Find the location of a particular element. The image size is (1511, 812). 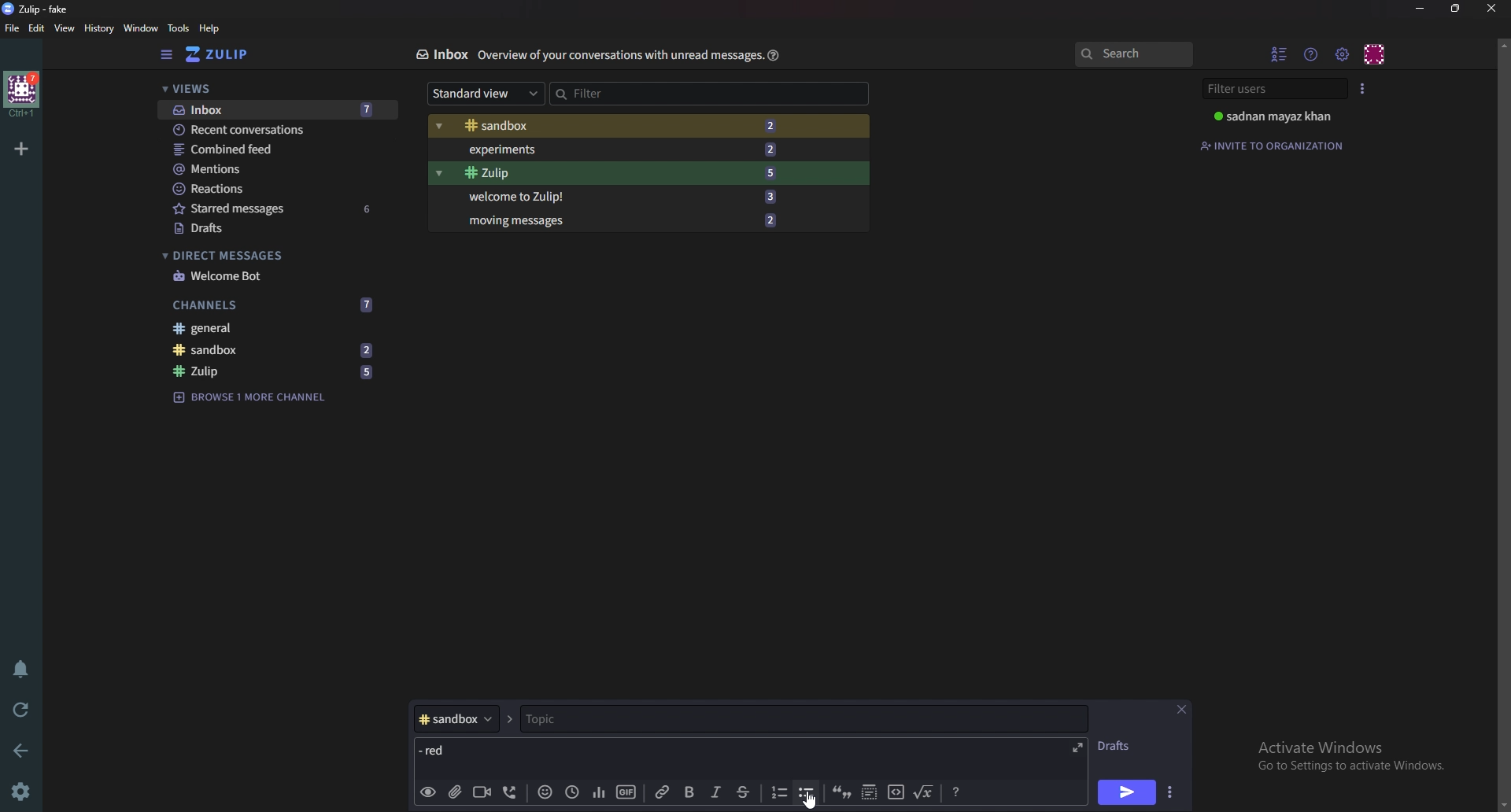

Close message is located at coordinates (1180, 710).